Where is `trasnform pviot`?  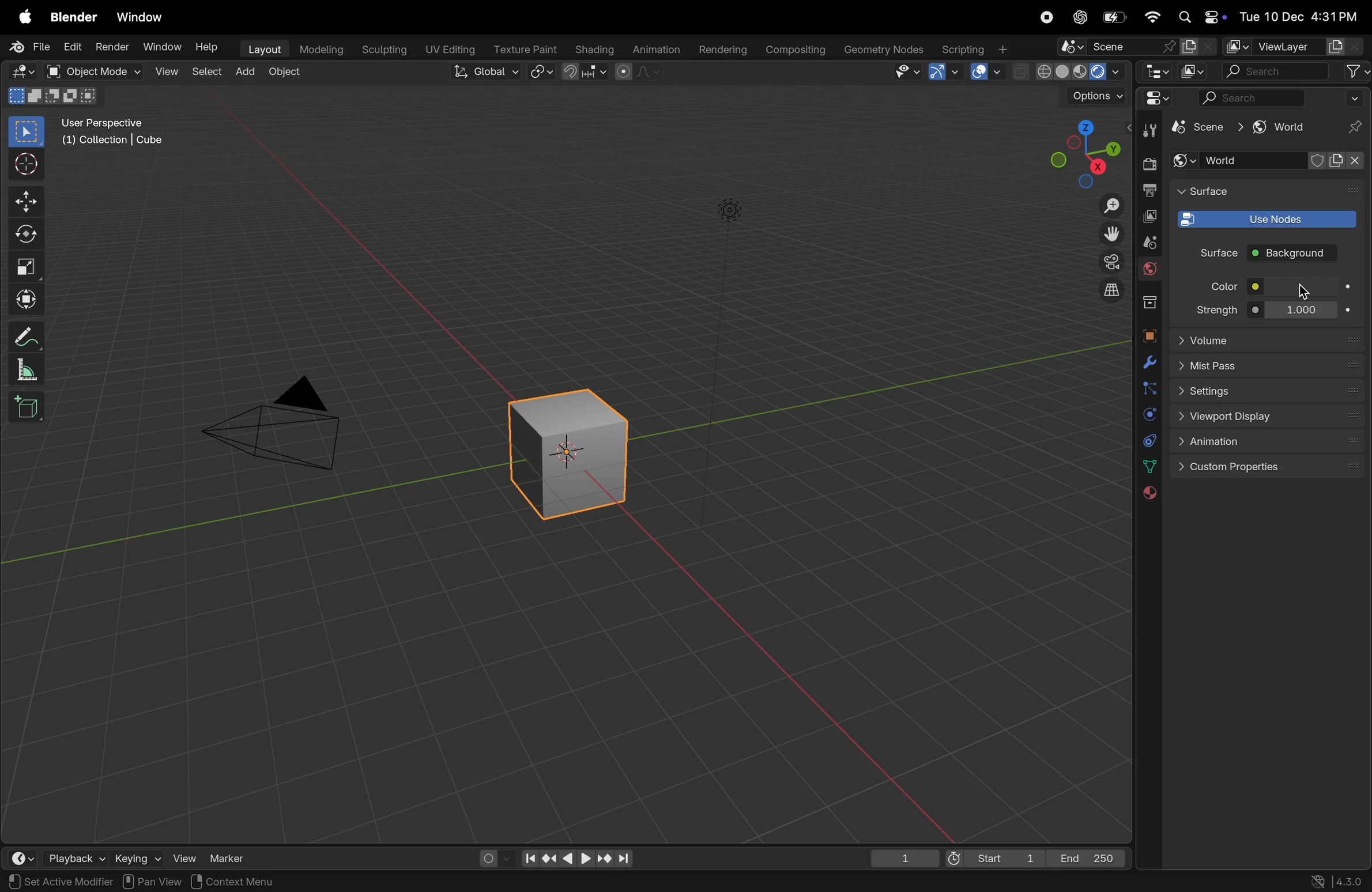 trasnform pviot is located at coordinates (543, 71).